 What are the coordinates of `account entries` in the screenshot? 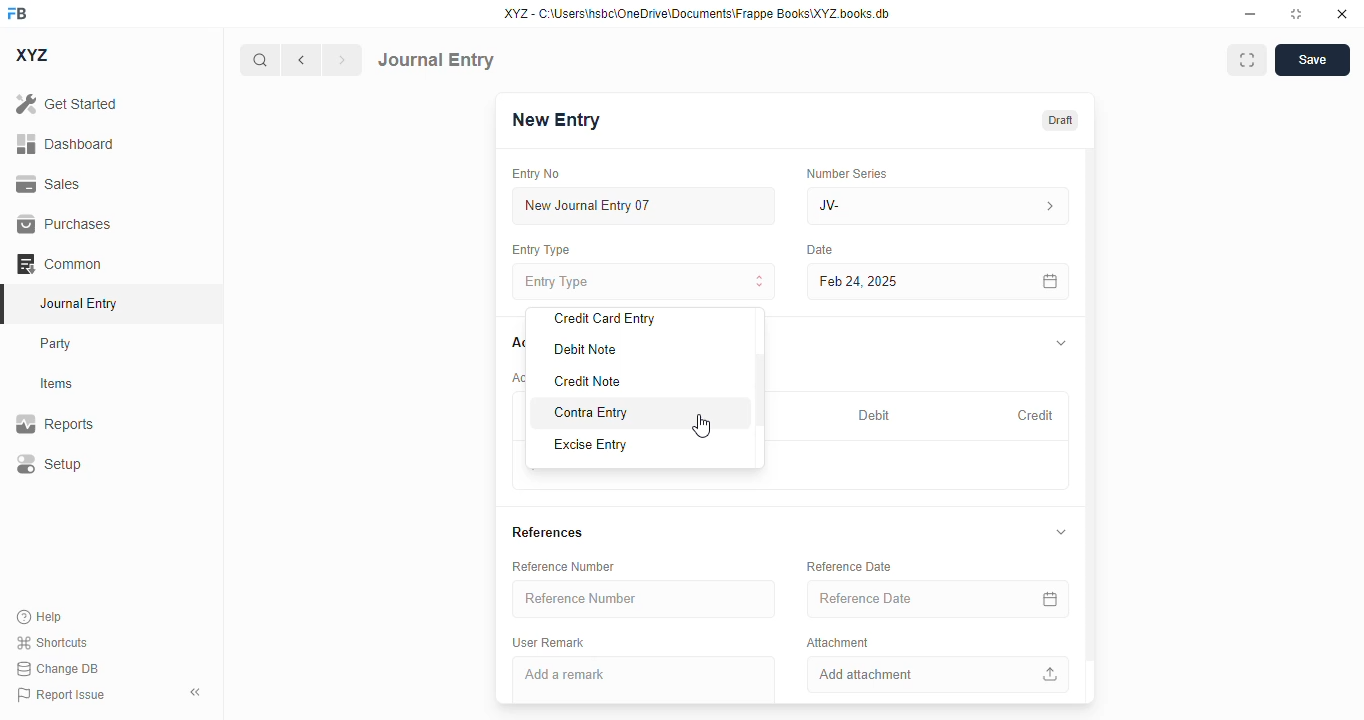 It's located at (517, 377).